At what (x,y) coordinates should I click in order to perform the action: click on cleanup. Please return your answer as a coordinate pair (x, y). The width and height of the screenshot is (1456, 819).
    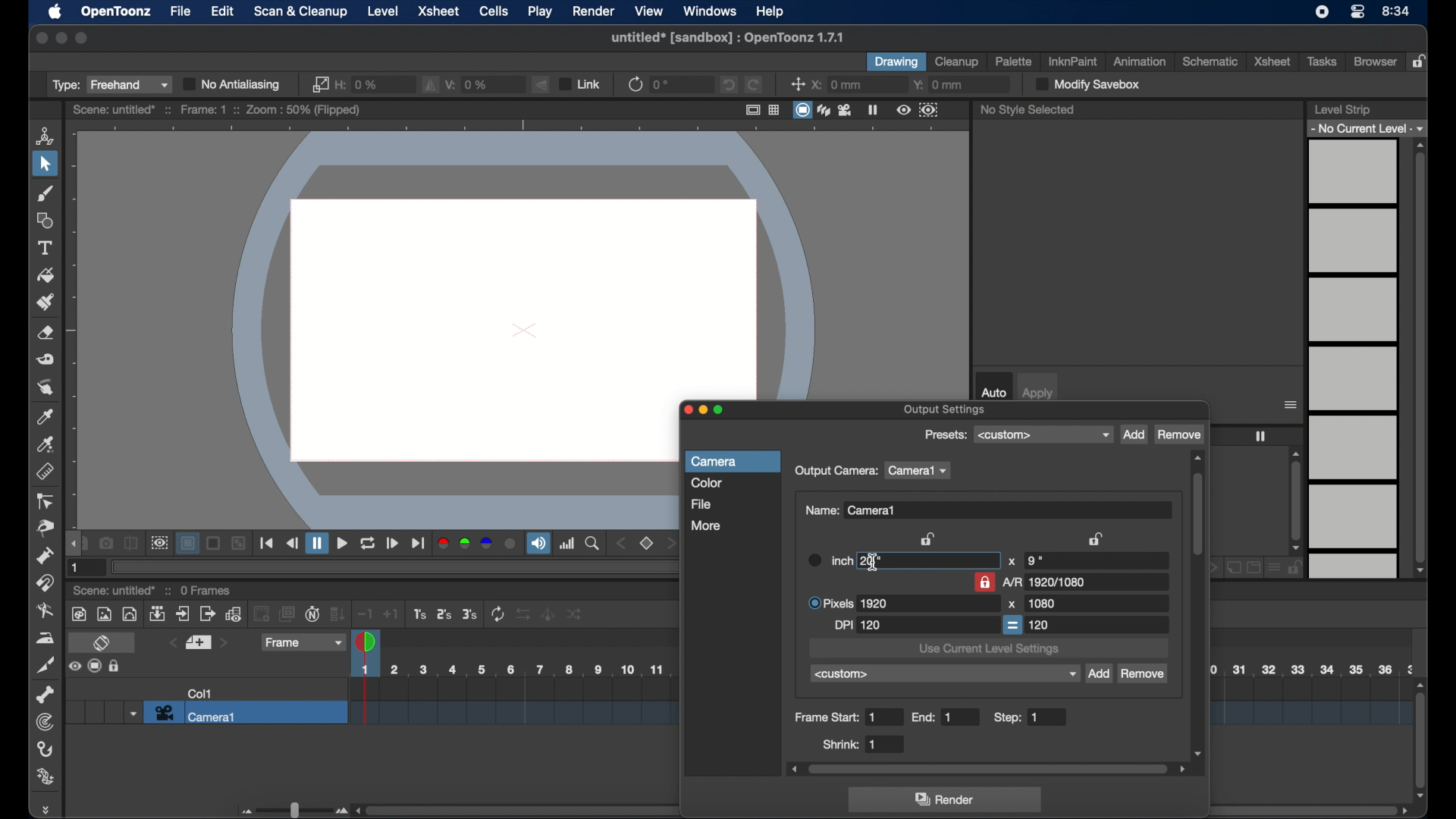
    Looking at the image, I should click on (957, 61).